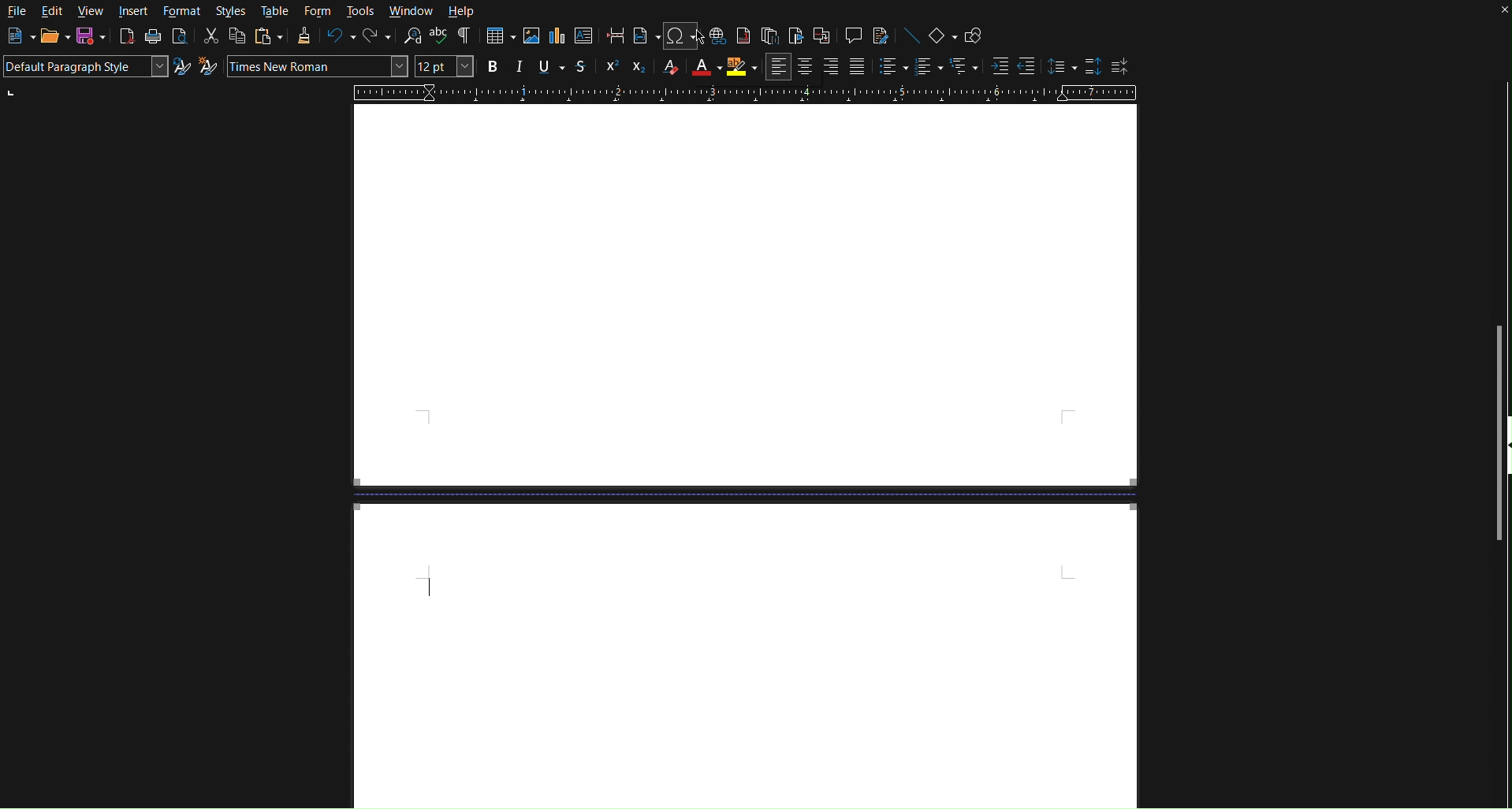 This screenshot has height=809, width=1512. What do you see at coordinates (852, 35) in the screenshot?
I see `Insert Comment` at bounding box center [852, 35].